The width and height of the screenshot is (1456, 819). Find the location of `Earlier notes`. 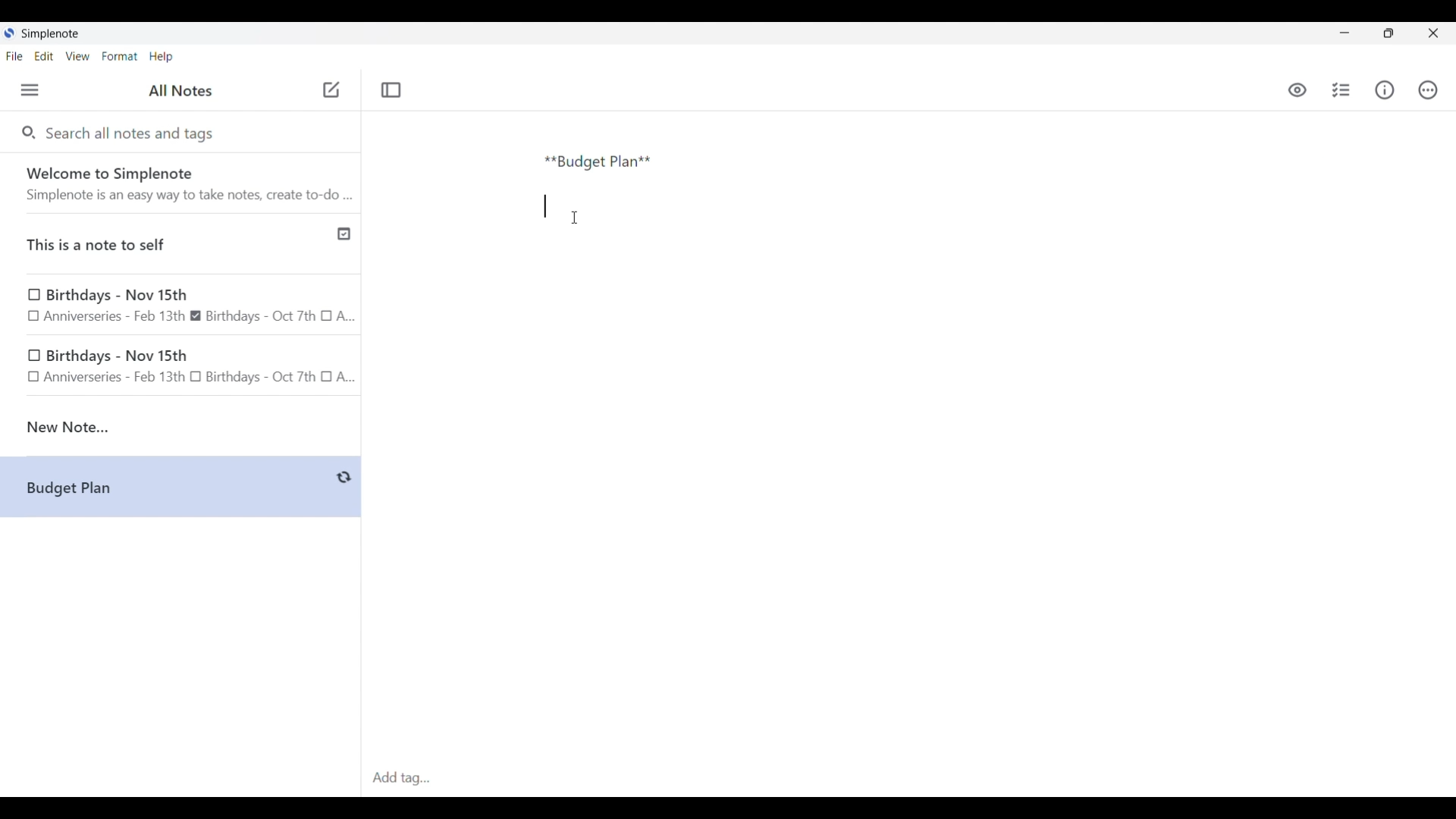

Earlier notes is located at coordinates (181, 303).